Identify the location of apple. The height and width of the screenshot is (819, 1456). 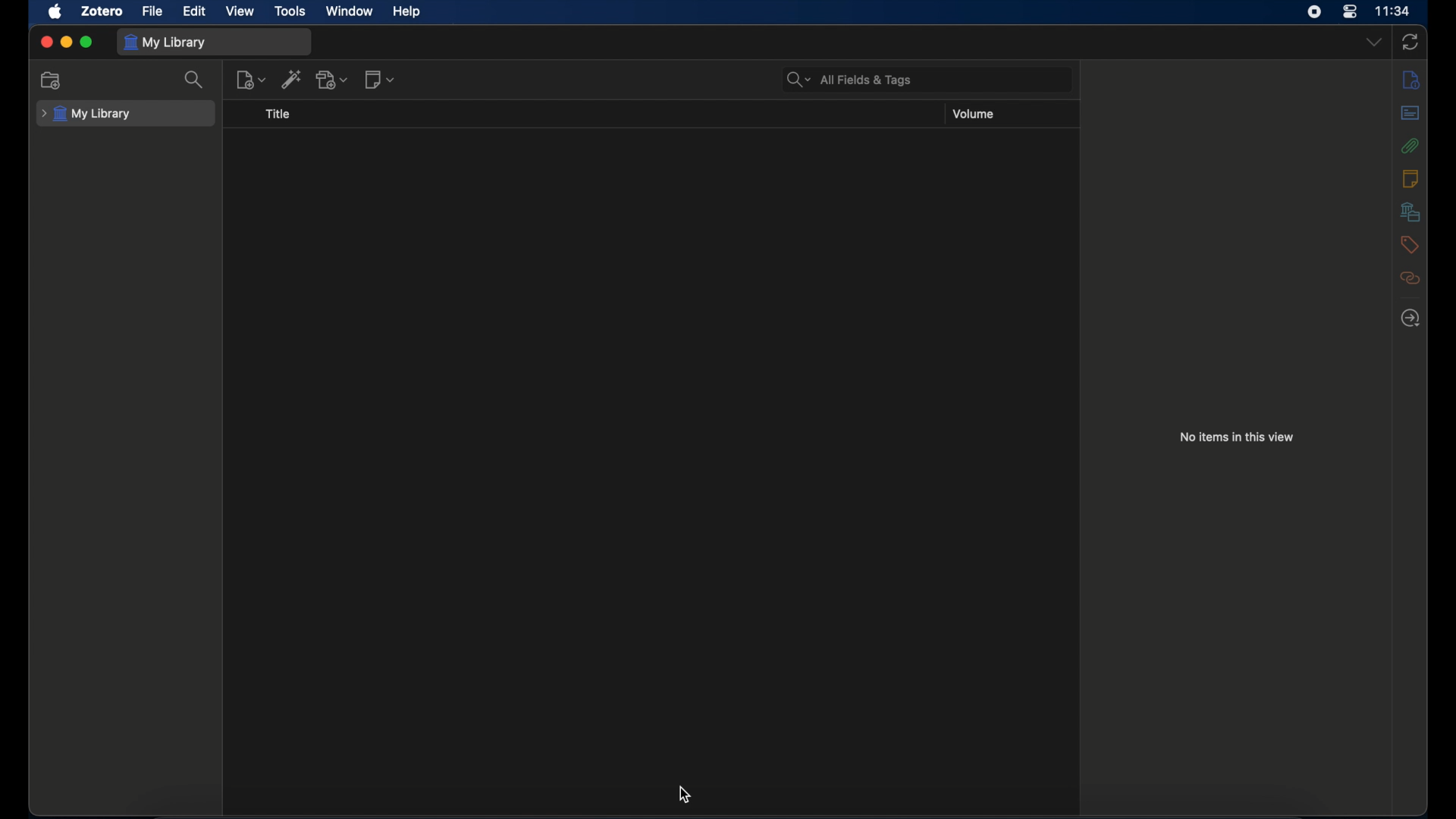
(55, 12).